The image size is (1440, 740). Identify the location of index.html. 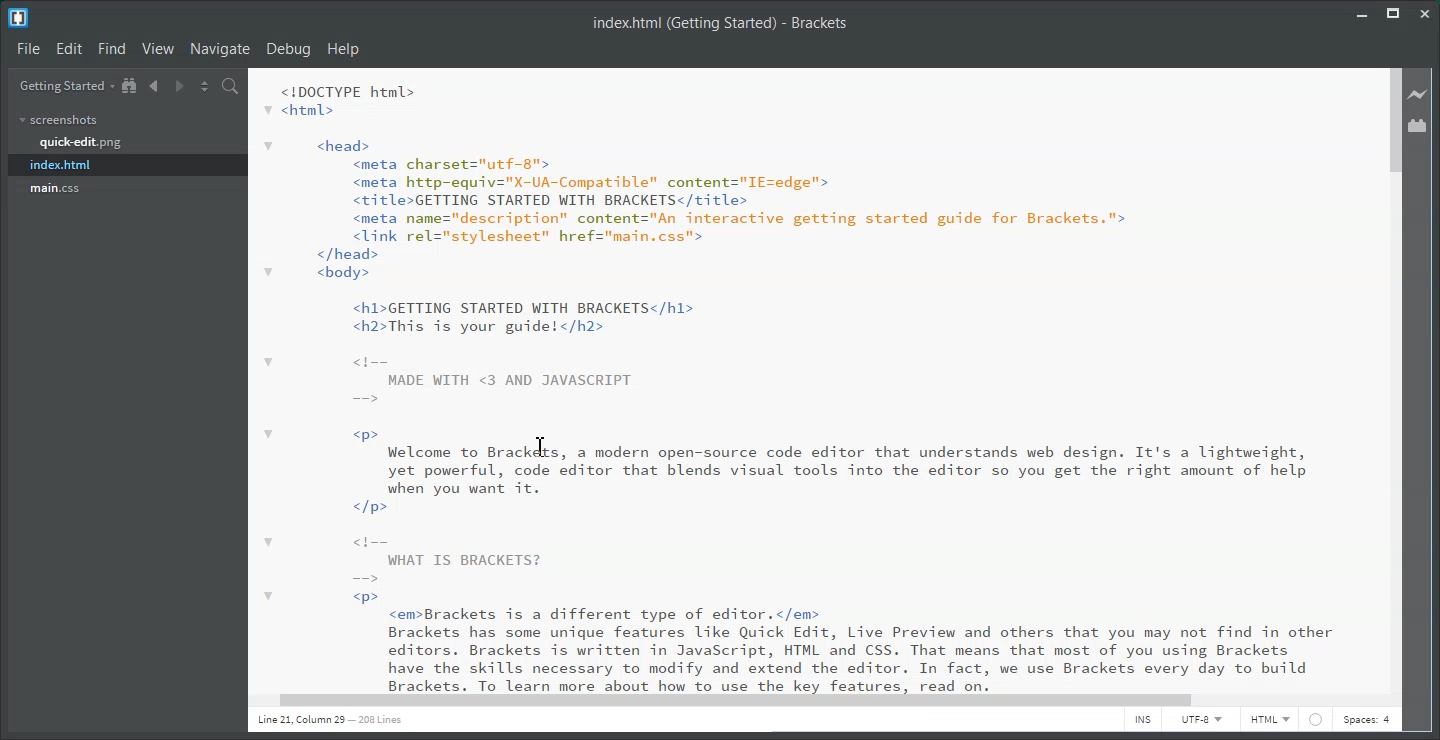
(128, 165).